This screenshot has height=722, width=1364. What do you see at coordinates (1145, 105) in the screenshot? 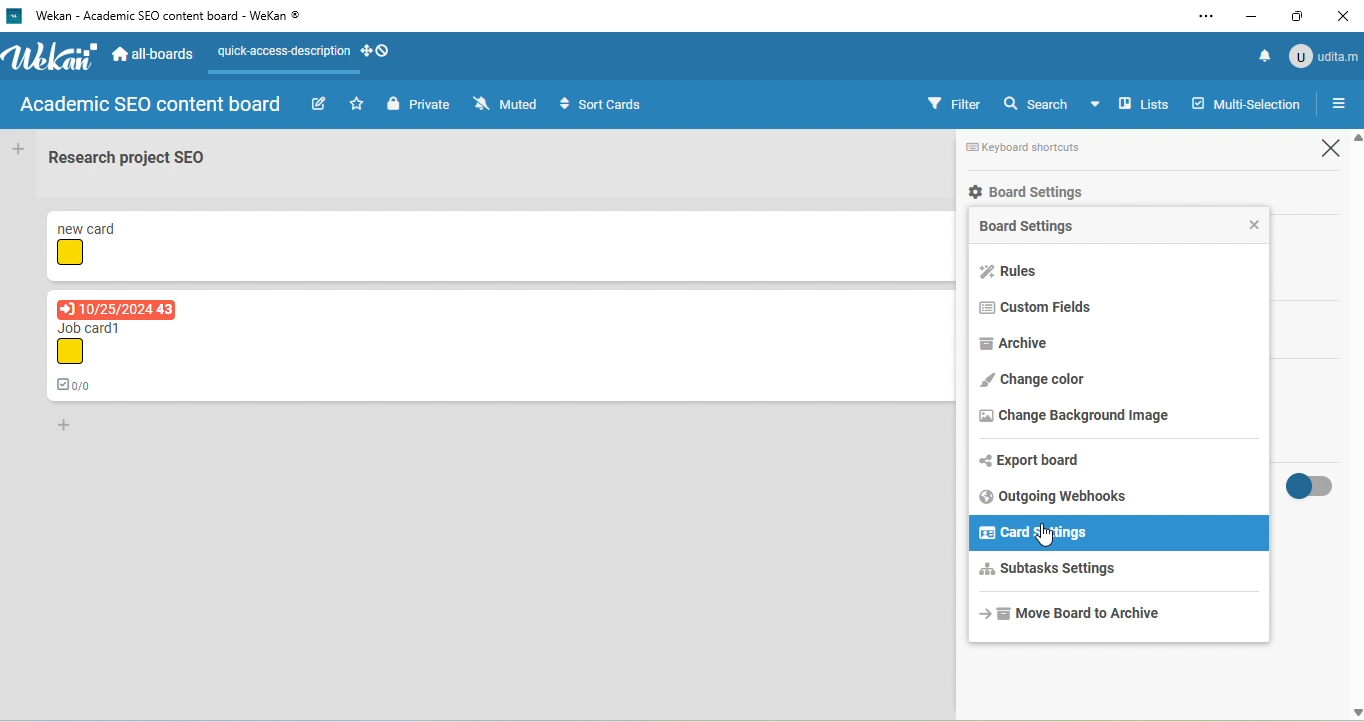
I see `lists` at bounding box center [1145, 105].